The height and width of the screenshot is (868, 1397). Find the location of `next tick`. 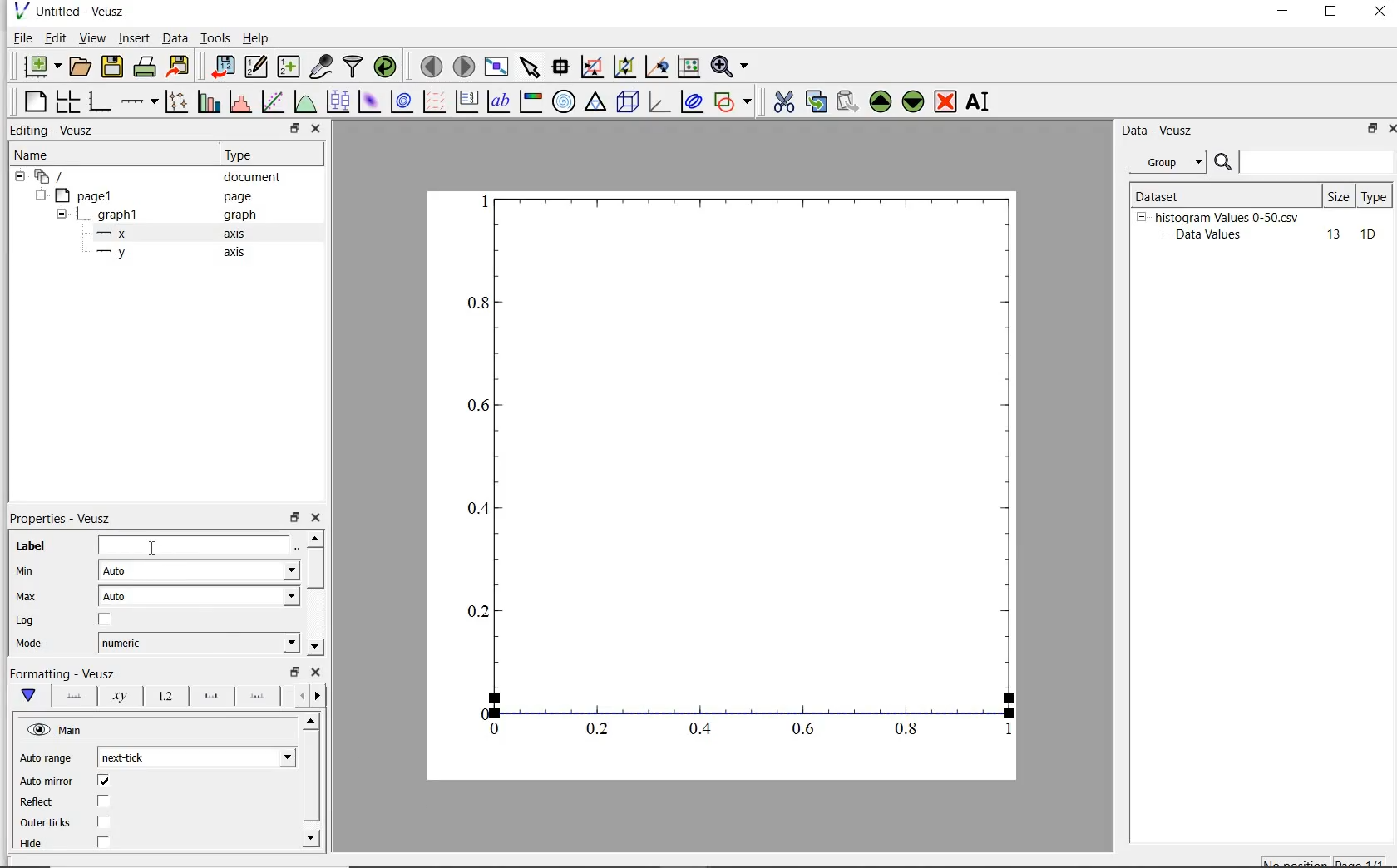

next tick is located at coordinates (196, 757).